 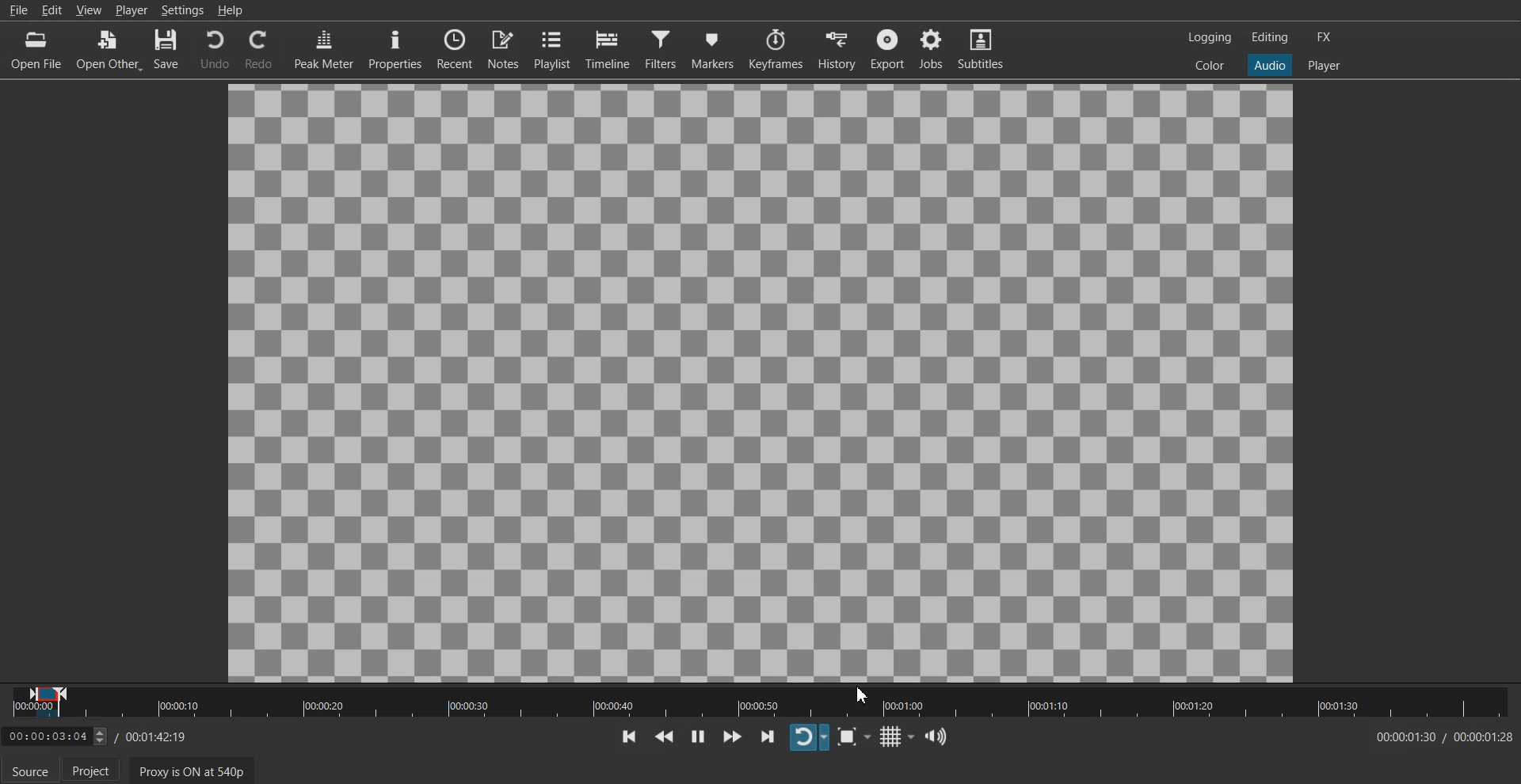 What do you see at coordinates (661, 49) in the screenshot?
I see `Filter` at bounding box center [661, 49].